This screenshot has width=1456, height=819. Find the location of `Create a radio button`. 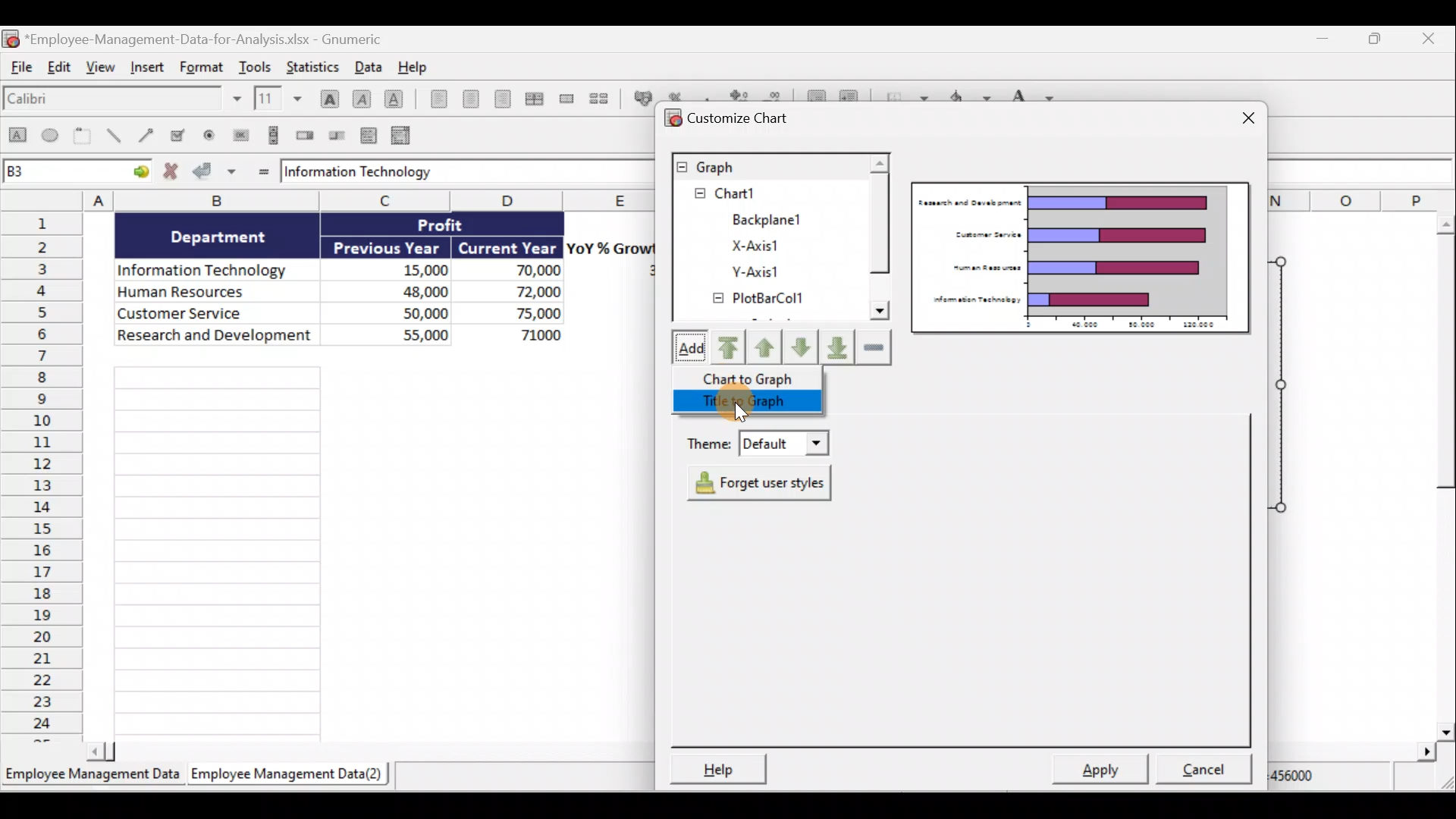

Create a radio button is located at coordinates (209, 136).